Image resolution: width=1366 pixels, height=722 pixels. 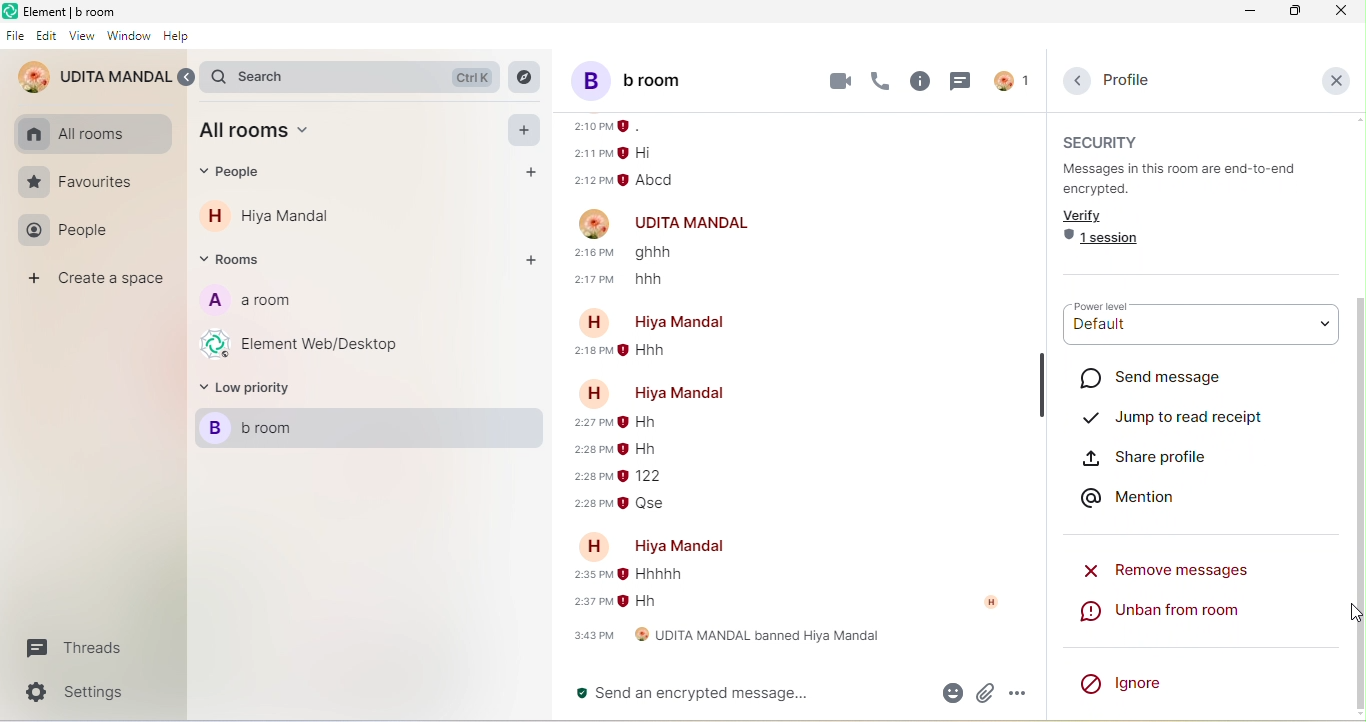 I want to click on account profile image, so click(x=595, y=222).